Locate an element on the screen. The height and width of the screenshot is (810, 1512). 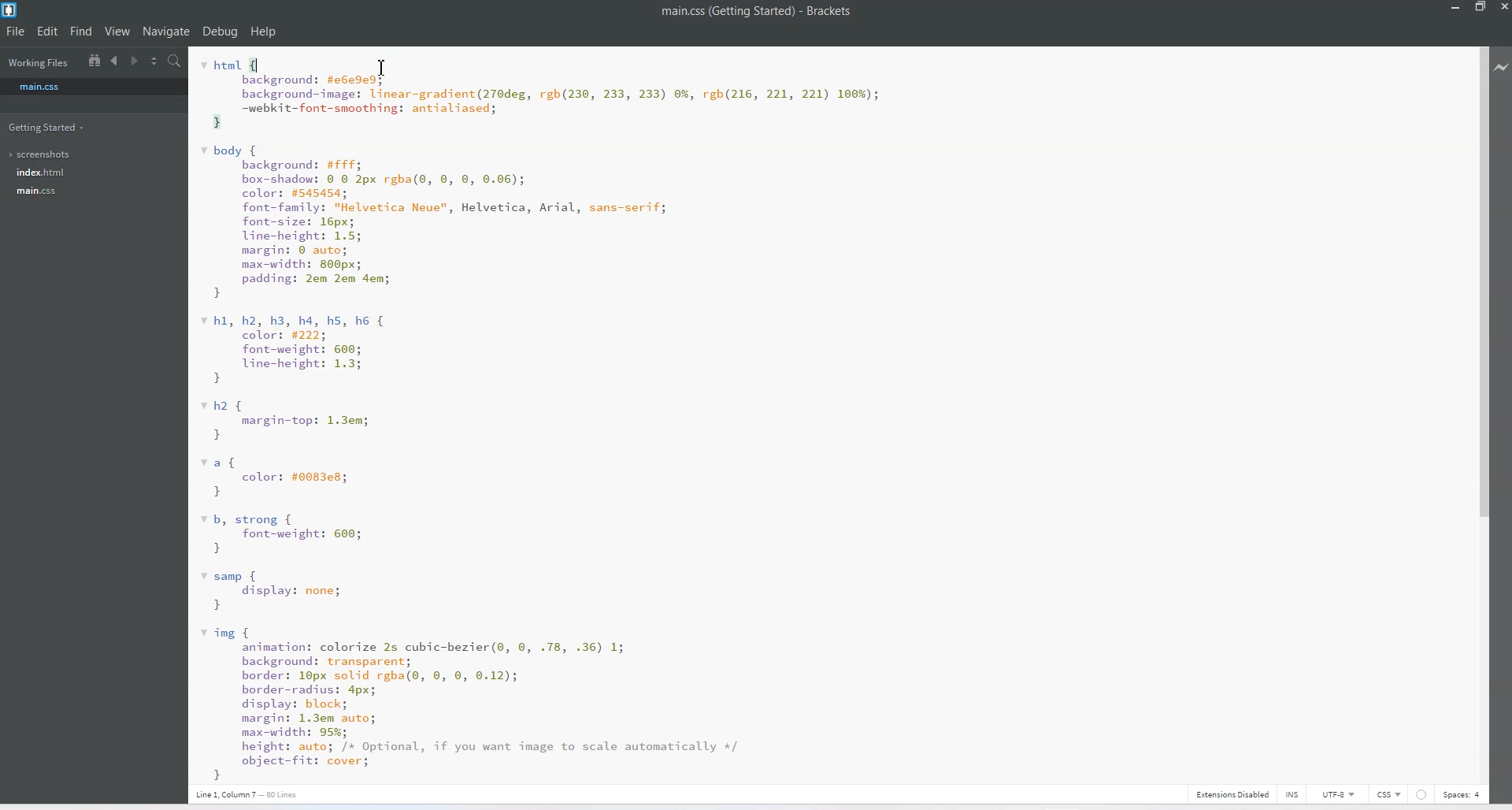
Debug is located at coordinates (220, 32).